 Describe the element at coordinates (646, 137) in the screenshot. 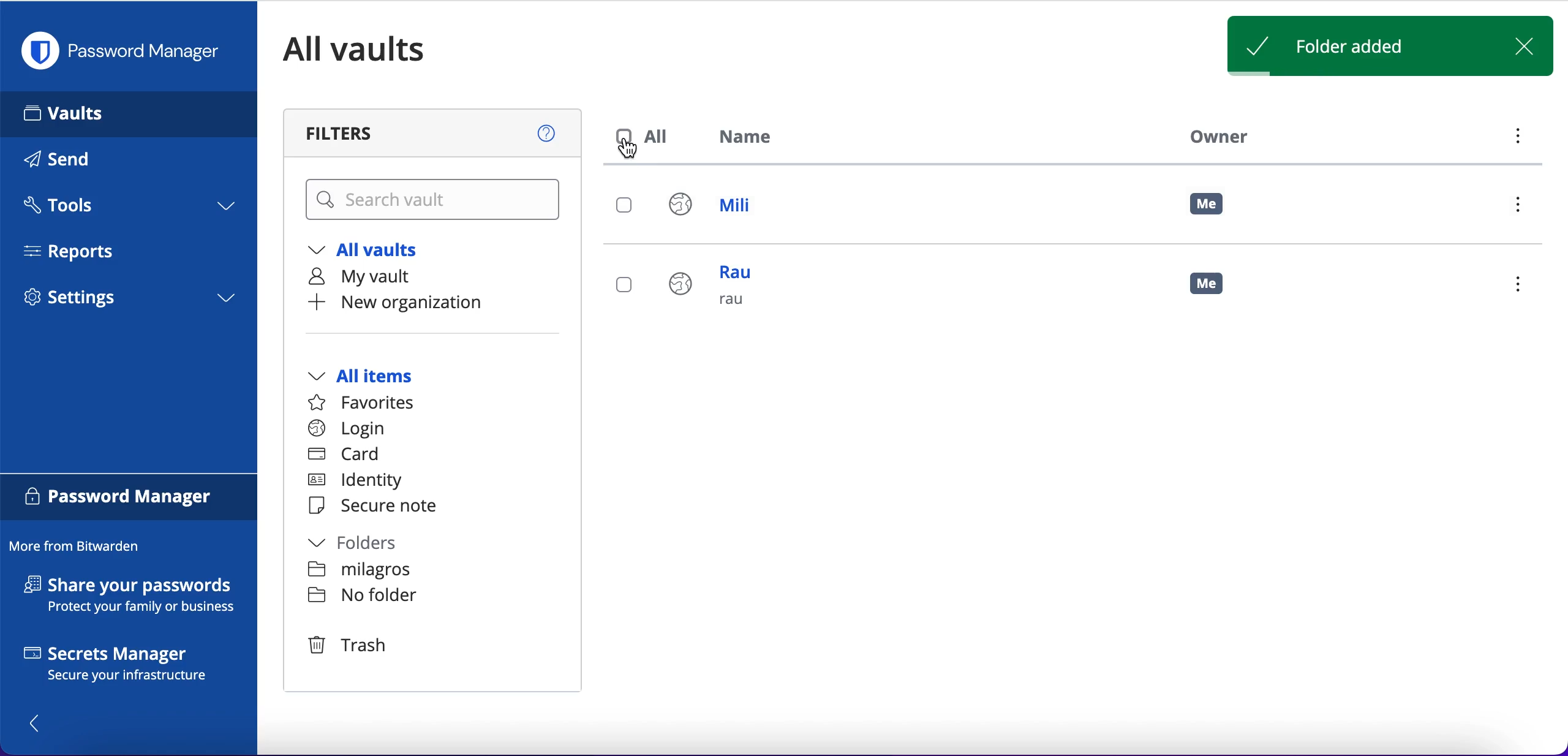

I see `all` at that location.